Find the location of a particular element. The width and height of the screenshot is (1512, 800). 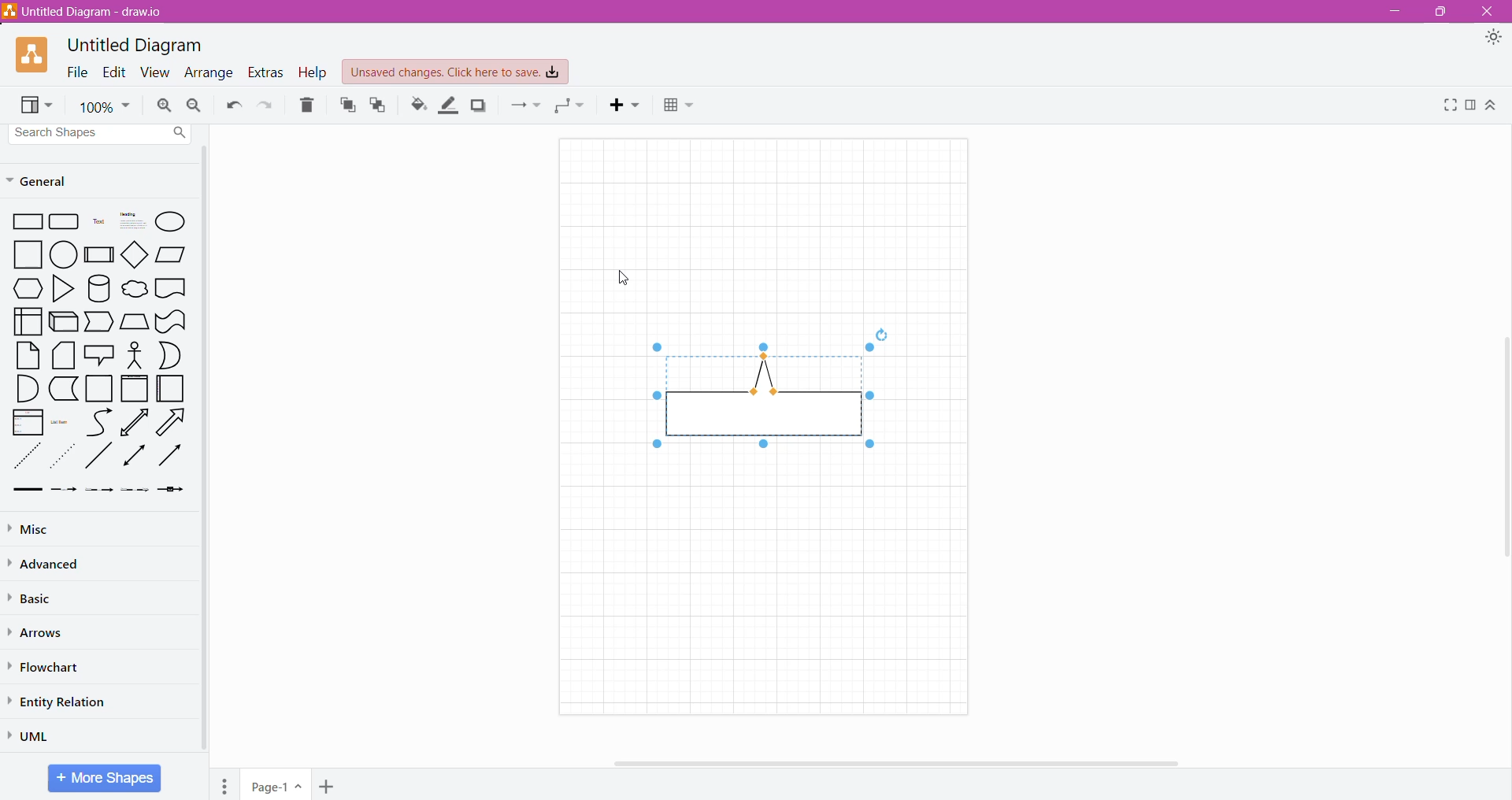

Speech Bubble is located at coordinates (99, 354).